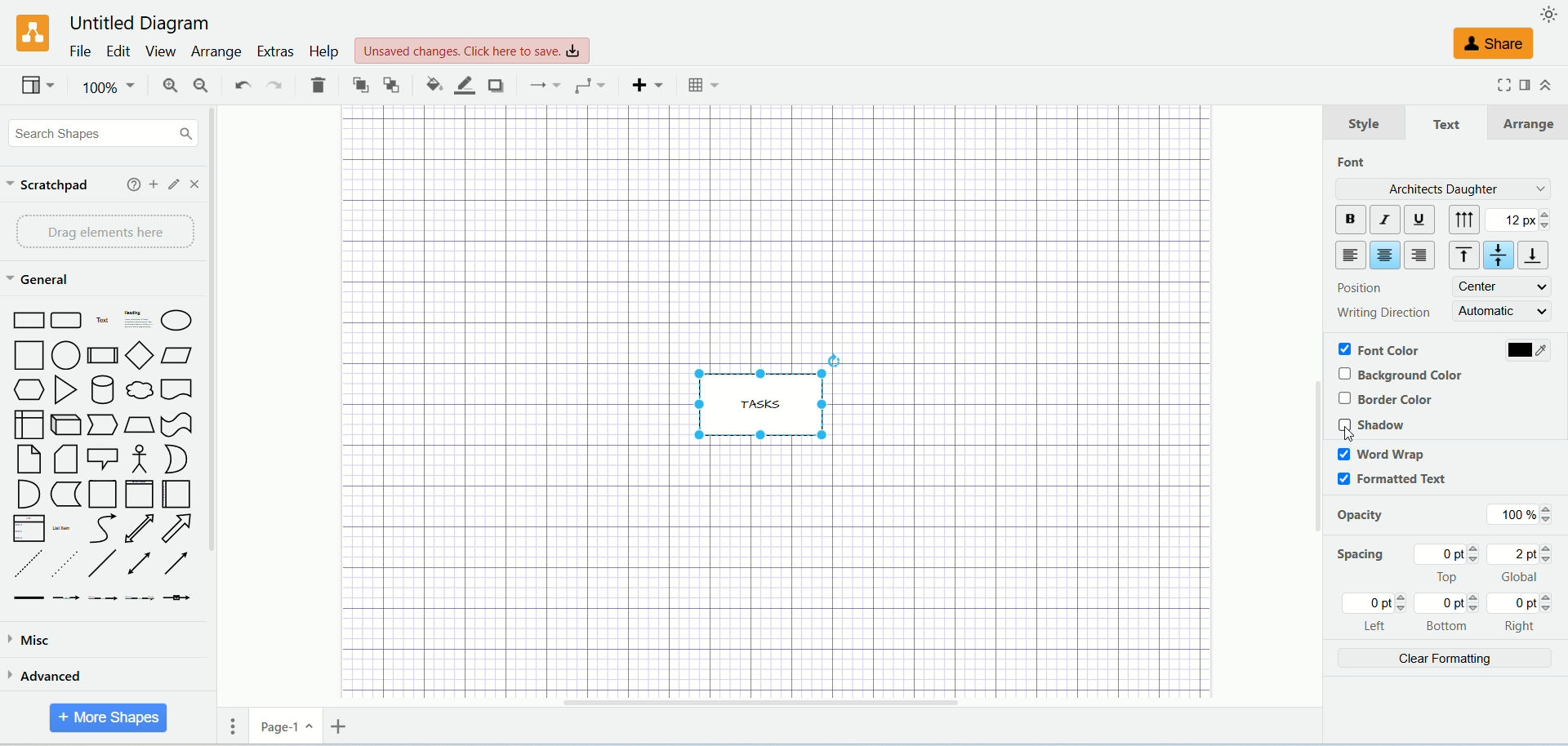 Image resolution: width=1568 pixels, height=746 pixels. What do you see at coordinates (1550, 13) in the screenshot?
I see `appearance` at bounding box center [1550, 13].